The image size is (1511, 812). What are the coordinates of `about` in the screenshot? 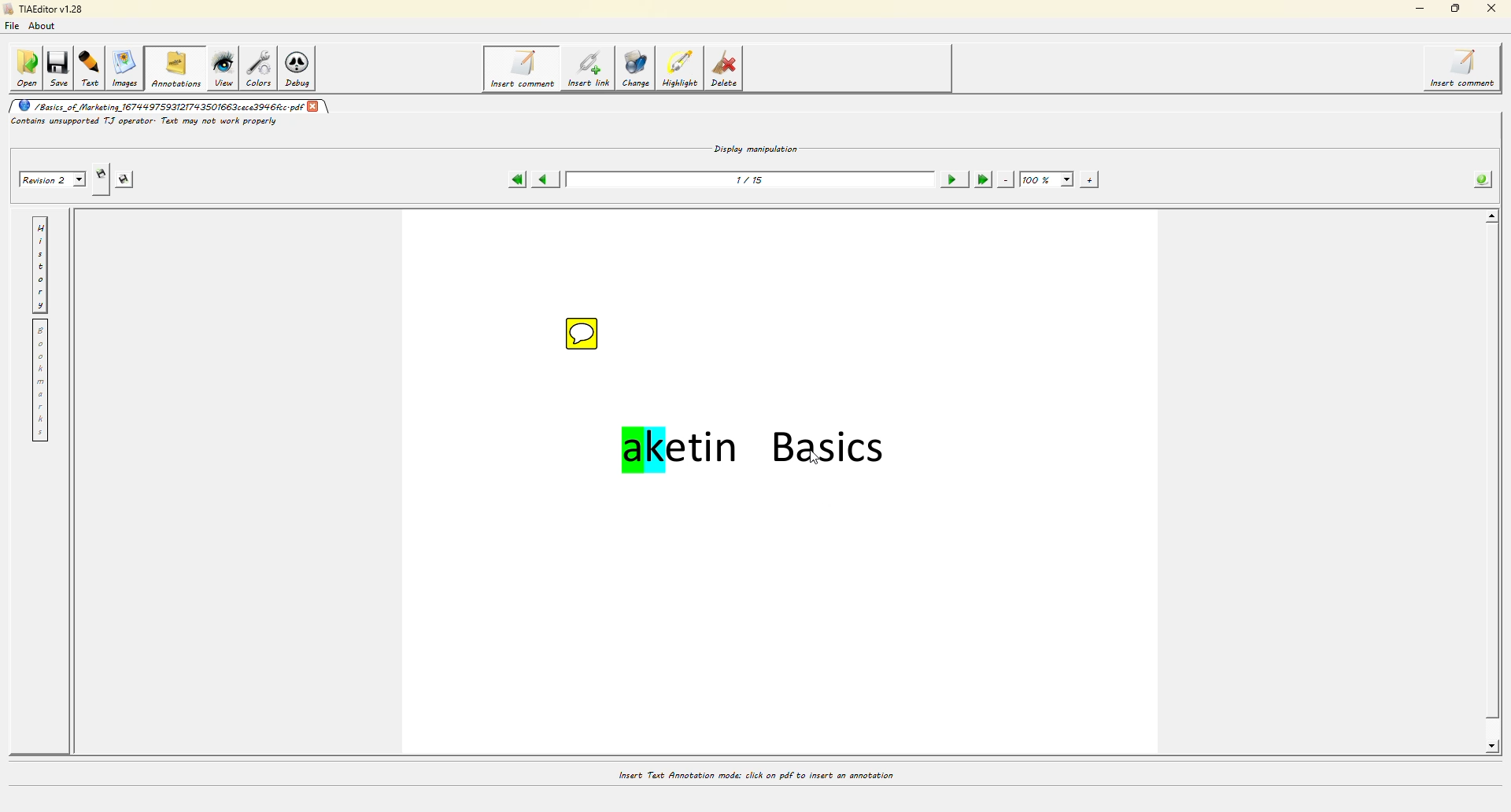 It's located at (46, 25).